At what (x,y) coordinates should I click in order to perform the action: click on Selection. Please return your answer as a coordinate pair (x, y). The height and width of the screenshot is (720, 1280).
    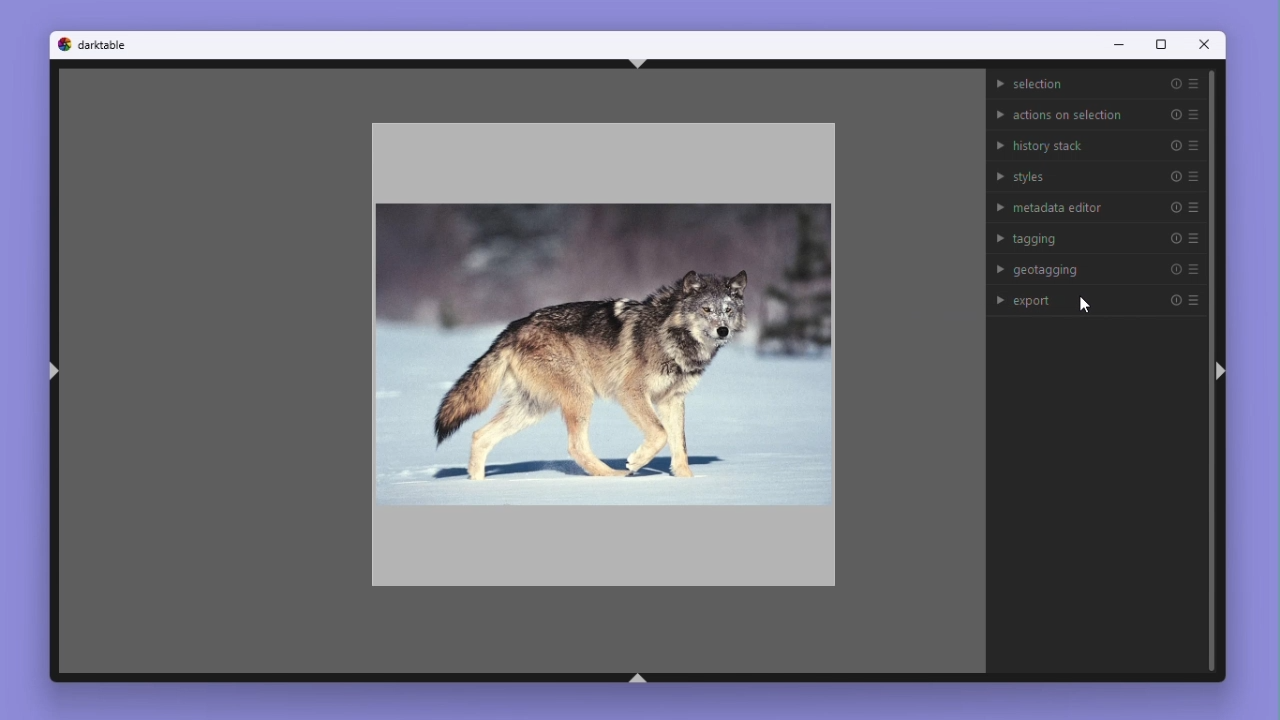
    Looking at the image, I should click on (1095, 84).